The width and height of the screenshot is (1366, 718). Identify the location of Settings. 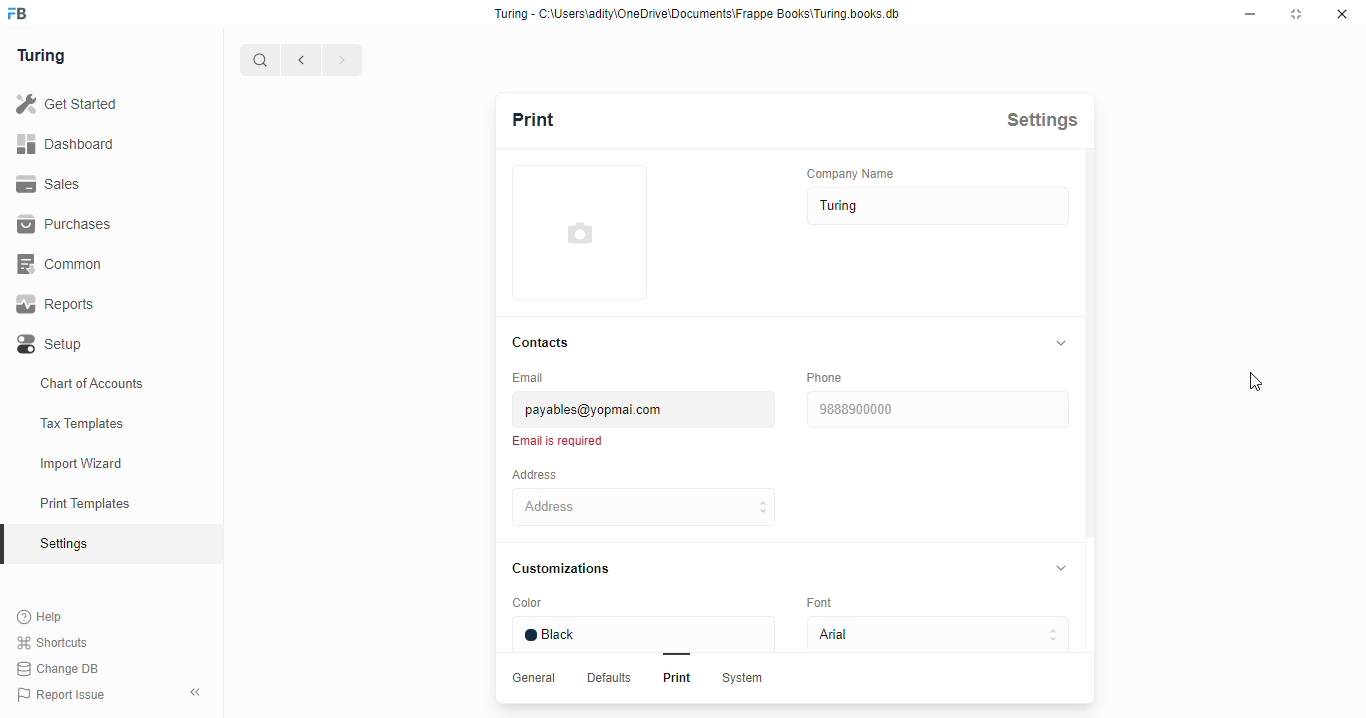
(1049, 119).